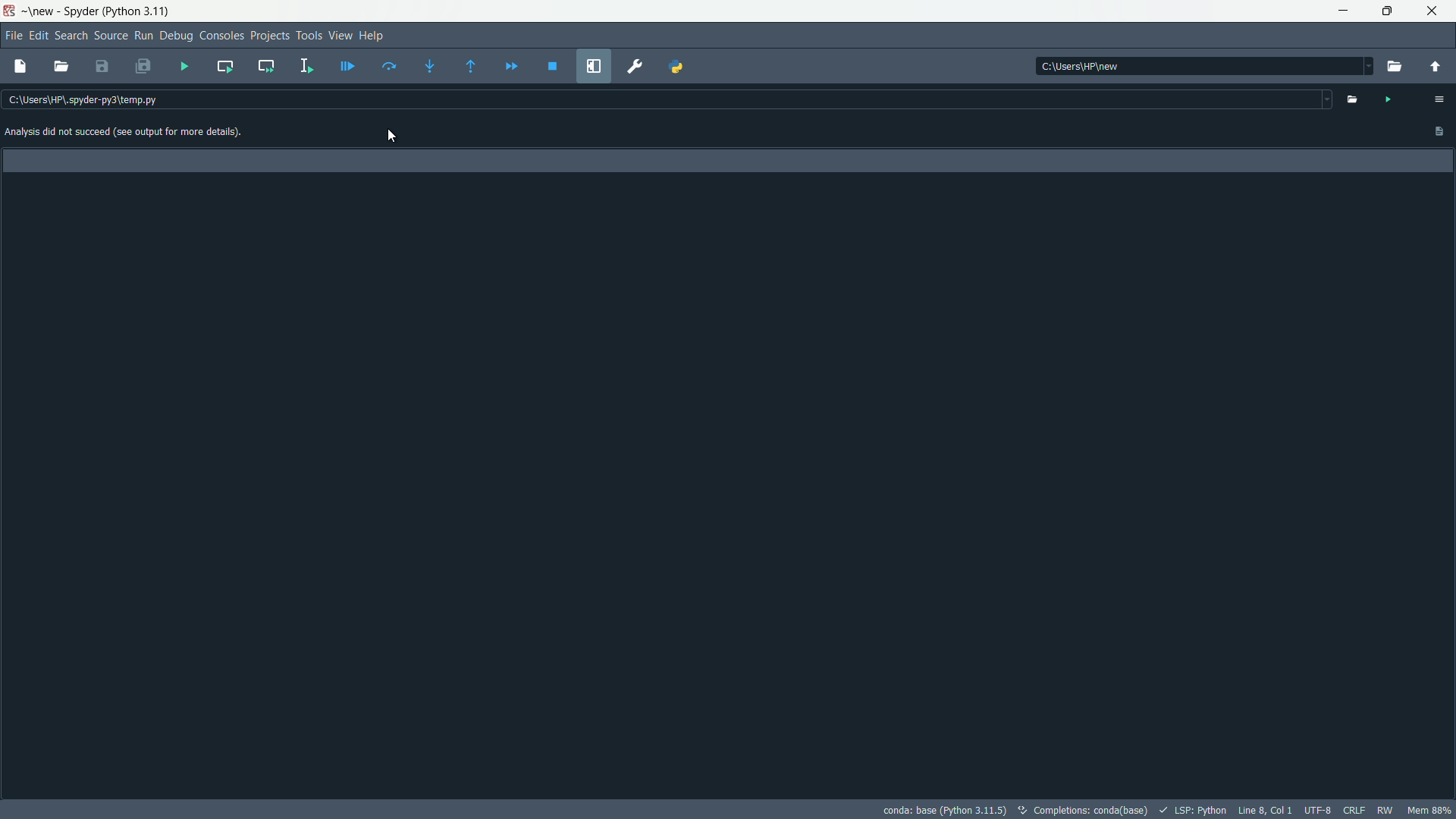  I want to click on browse directory, so click(1396, 67).